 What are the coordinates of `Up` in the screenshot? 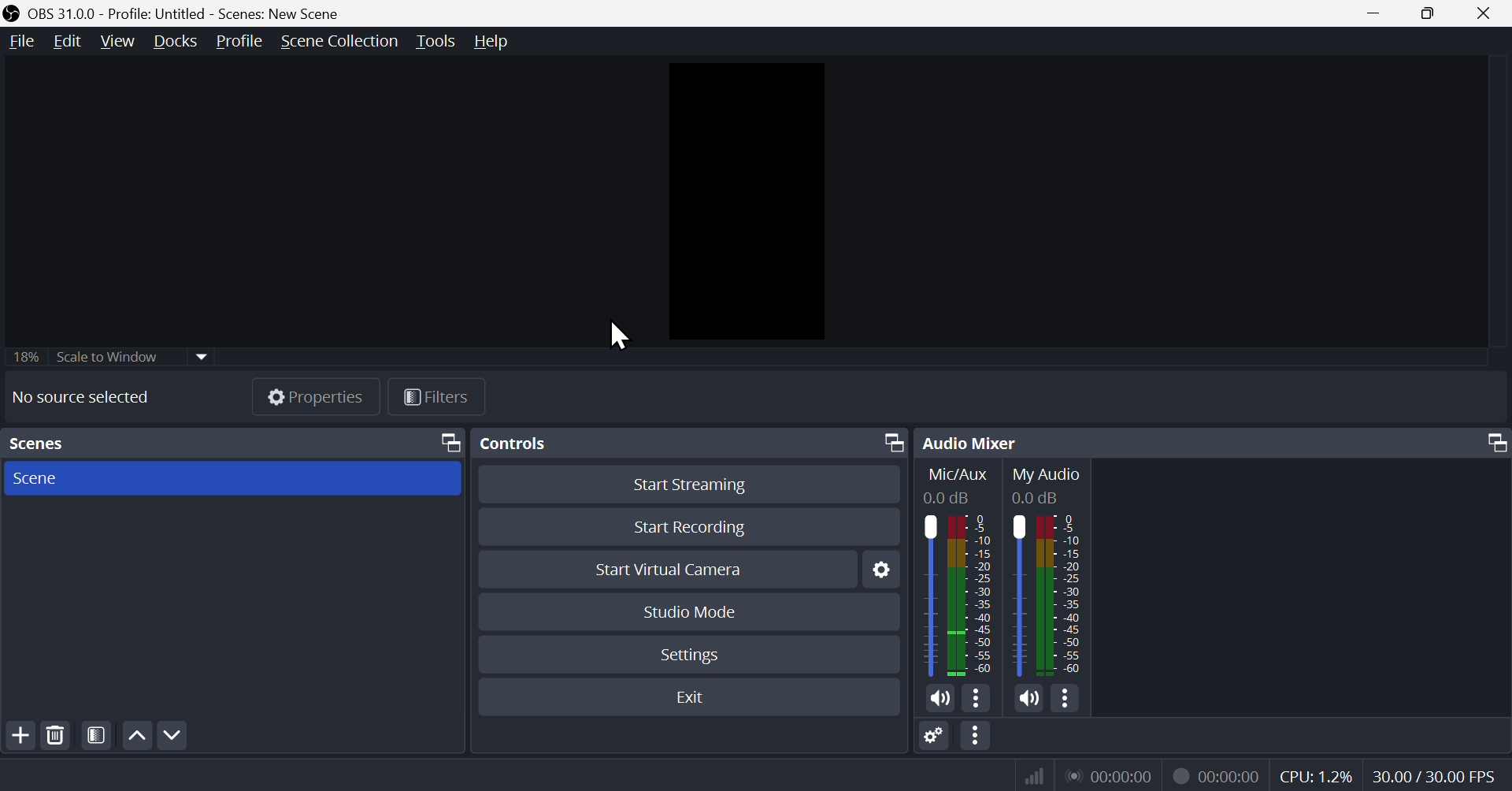 It's located at (135, 733).